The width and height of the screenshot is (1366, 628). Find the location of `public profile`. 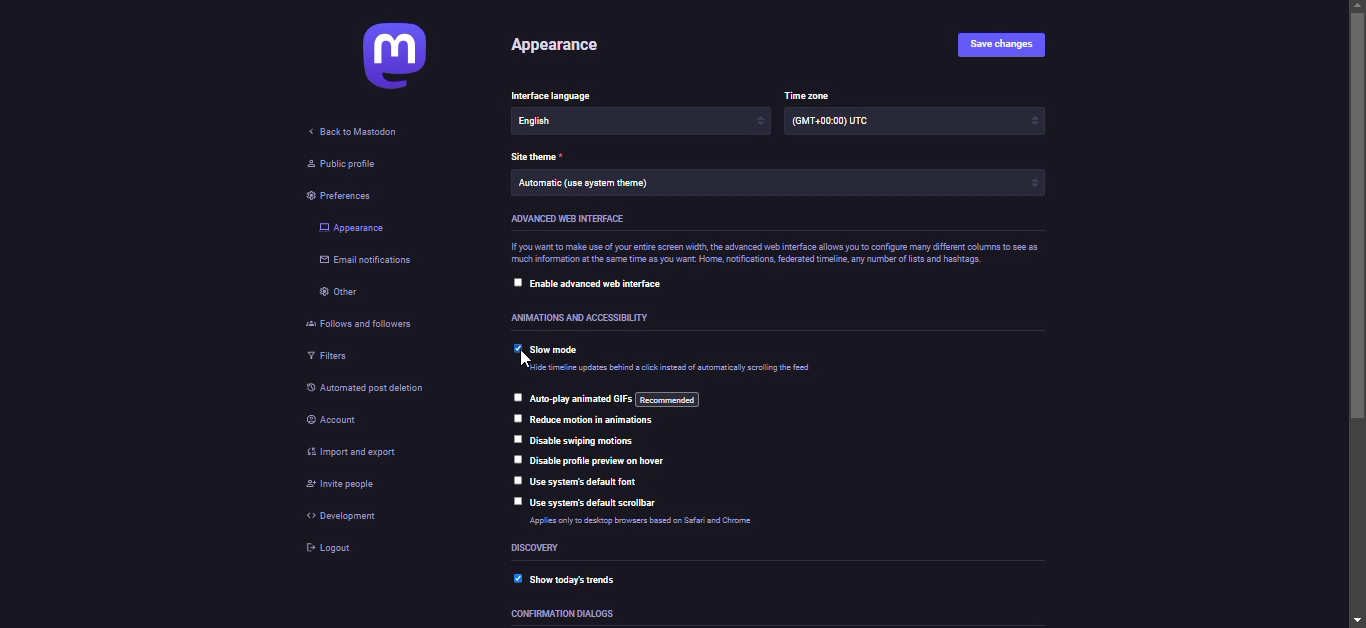

public profile is located at coordinates (345, 166).